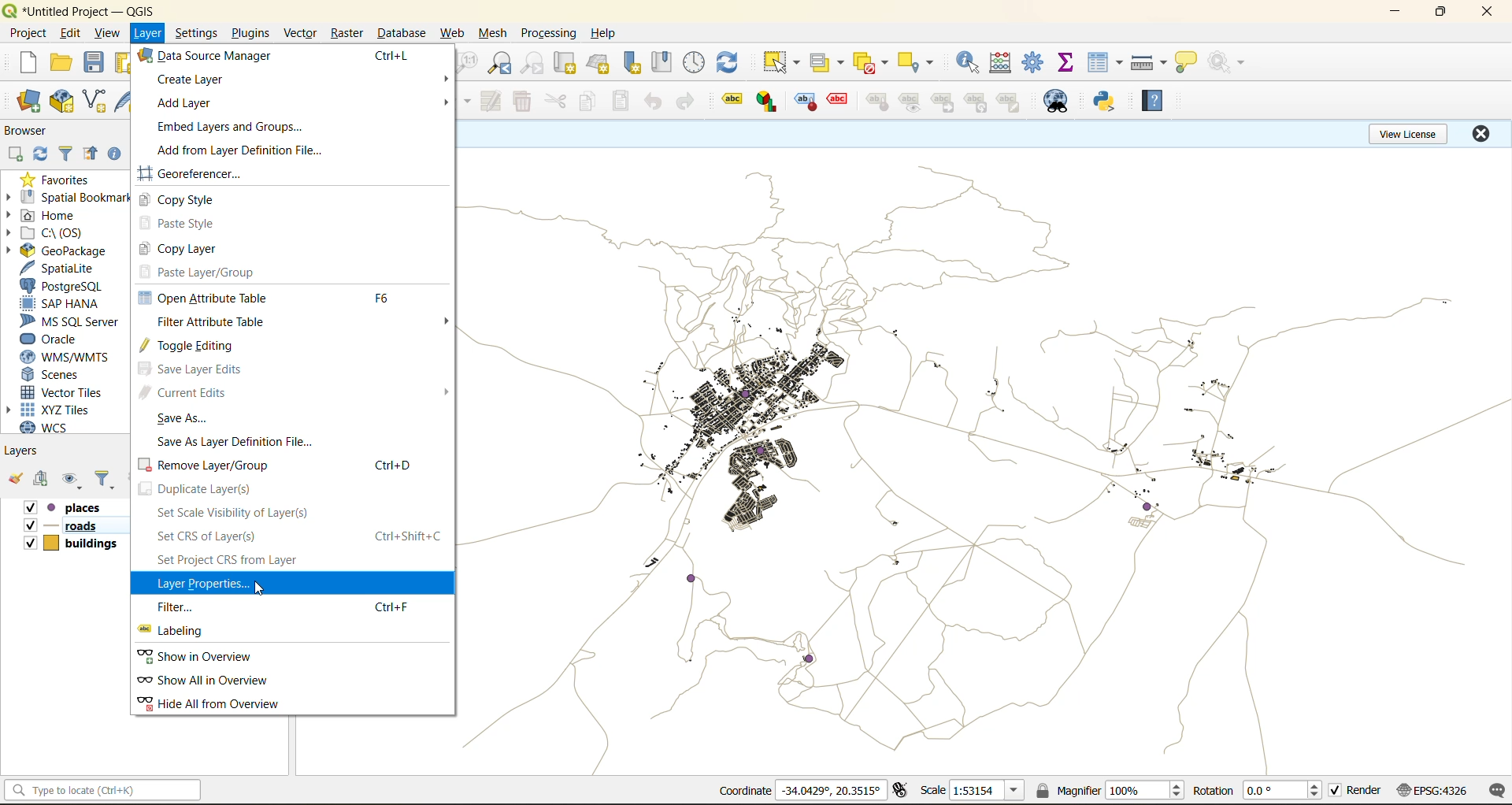 The width and height of the screenshot is (1512, 805). I want to click on crs, so click(1434, 791).